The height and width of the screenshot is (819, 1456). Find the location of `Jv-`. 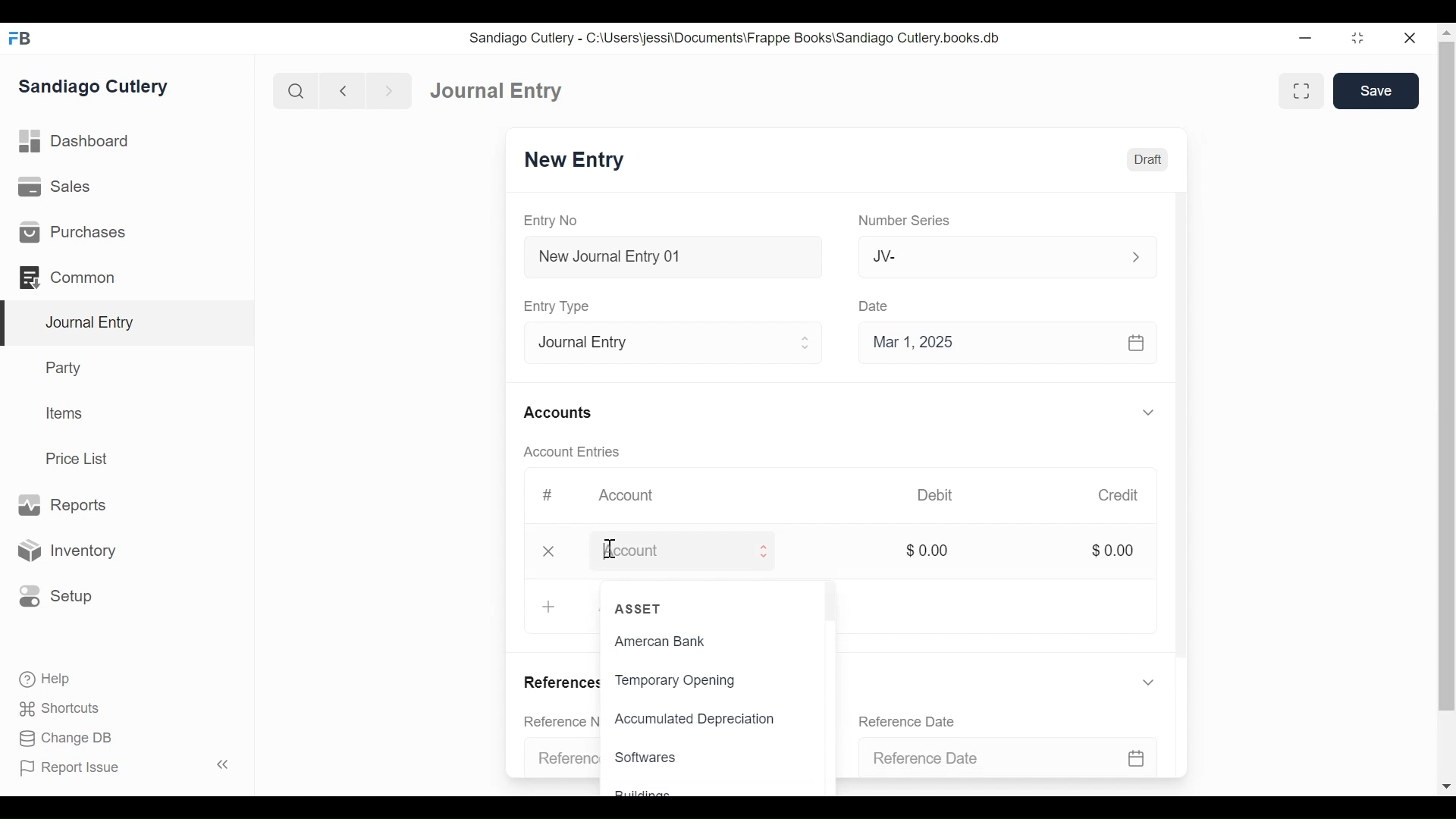

Jv- is located at coordinates (1007, 257).